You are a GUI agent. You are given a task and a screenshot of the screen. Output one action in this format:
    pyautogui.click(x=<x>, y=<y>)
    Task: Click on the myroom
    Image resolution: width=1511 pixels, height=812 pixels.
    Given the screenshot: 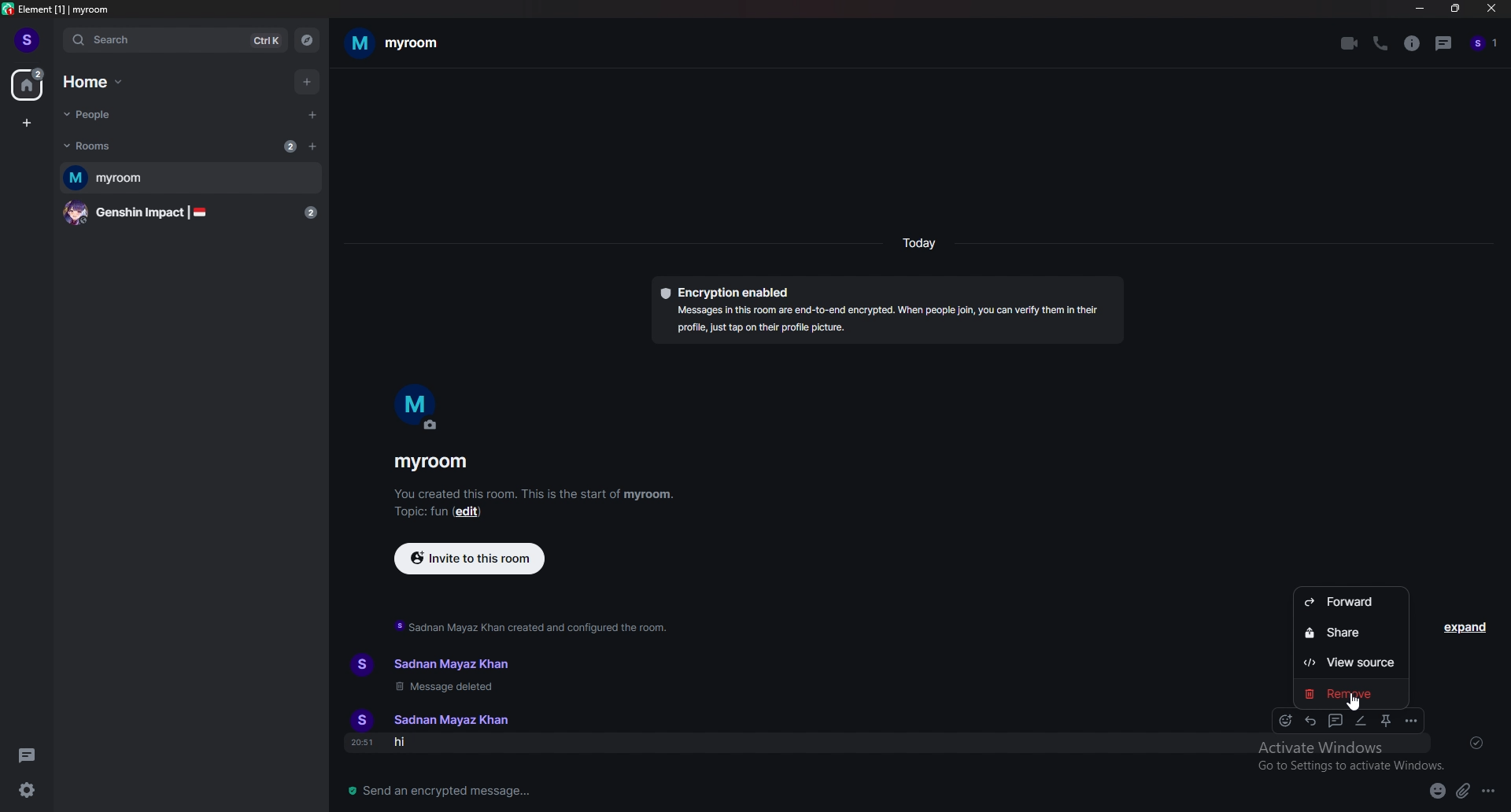 What is the action you would take?
    pyautogui.click(x=430, y=463)
    